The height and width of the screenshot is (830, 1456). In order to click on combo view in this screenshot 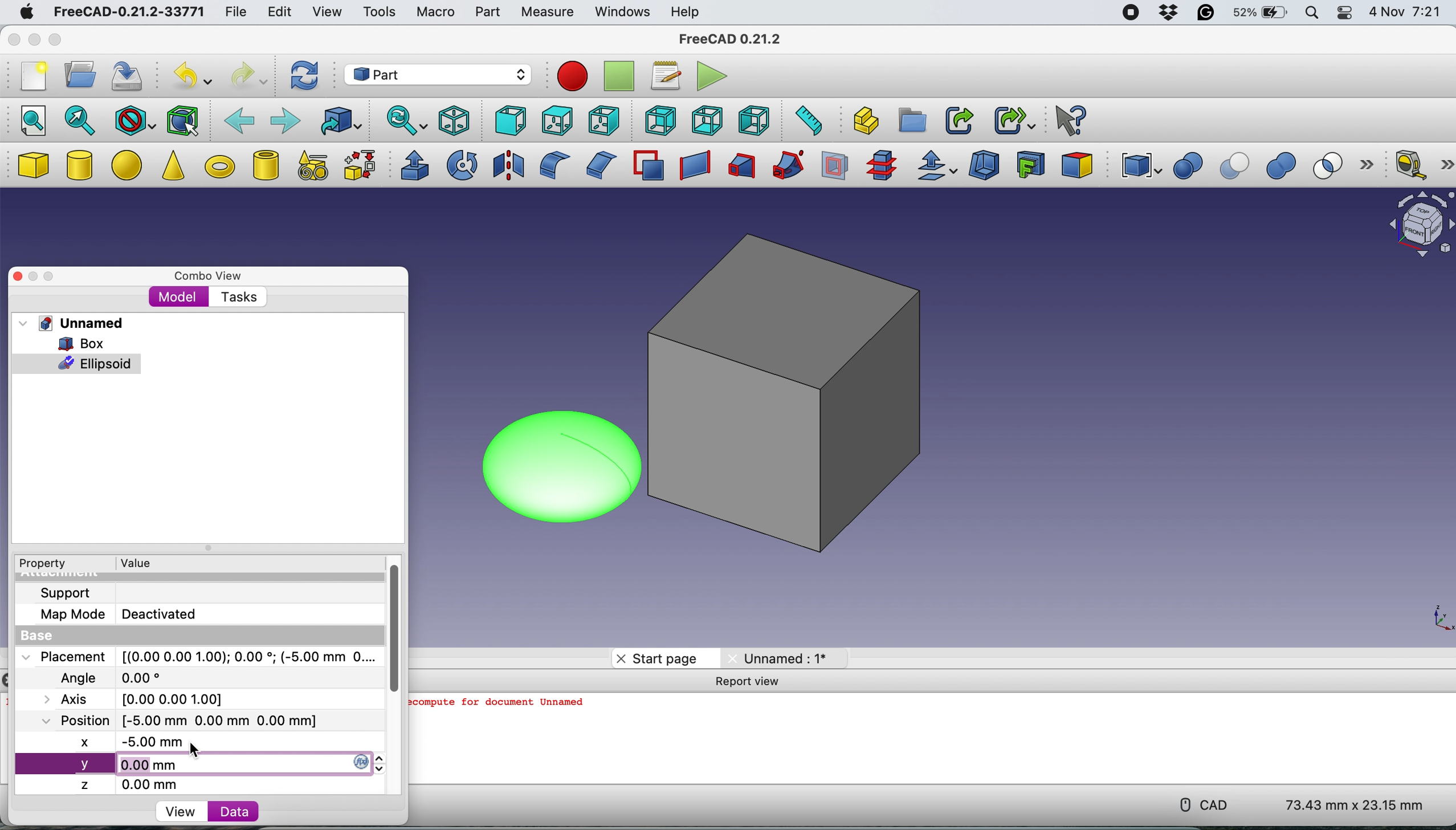, I will do `click(204, 272)`.